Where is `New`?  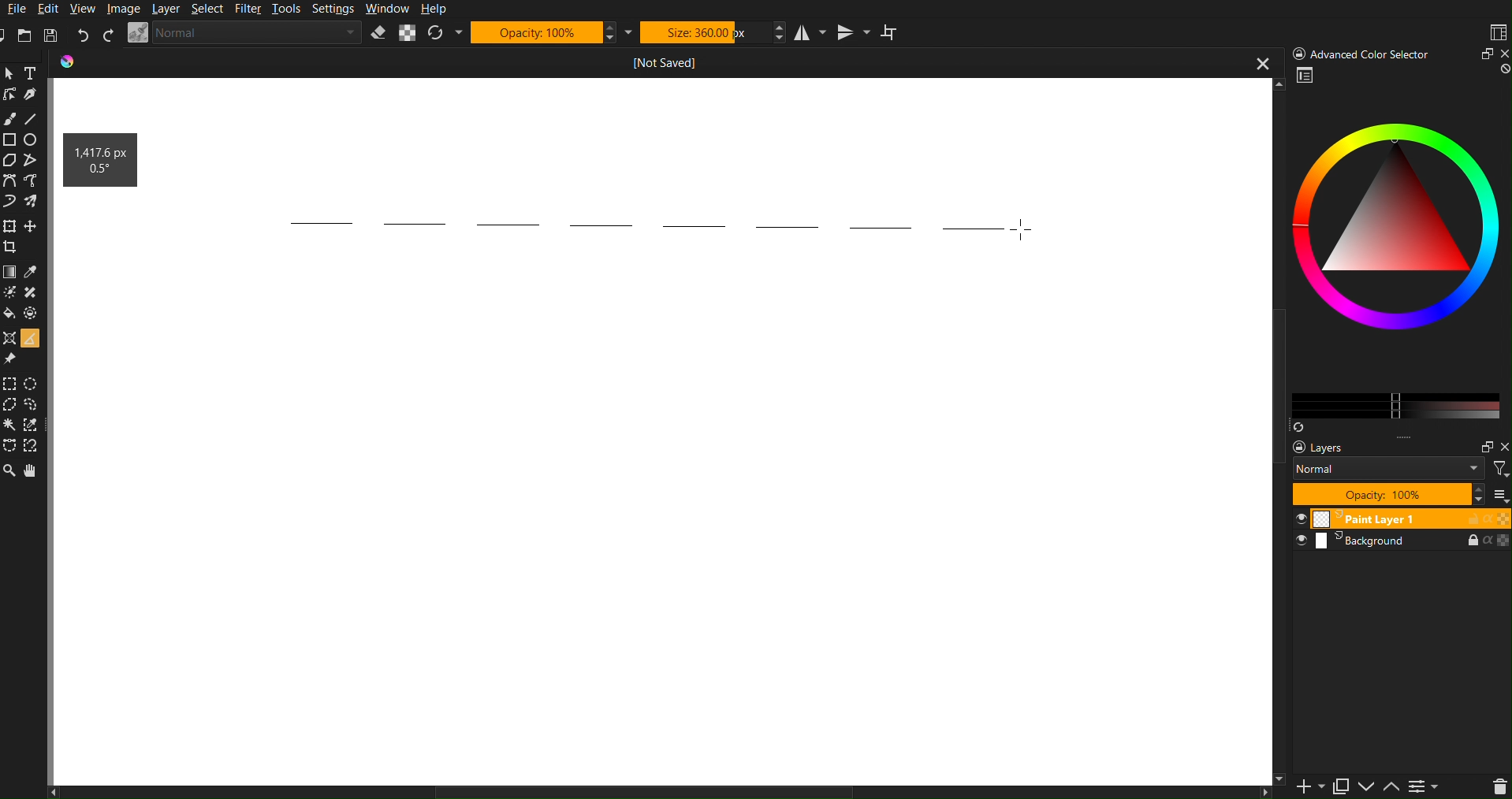 New is located at coordinates (1305, 786).